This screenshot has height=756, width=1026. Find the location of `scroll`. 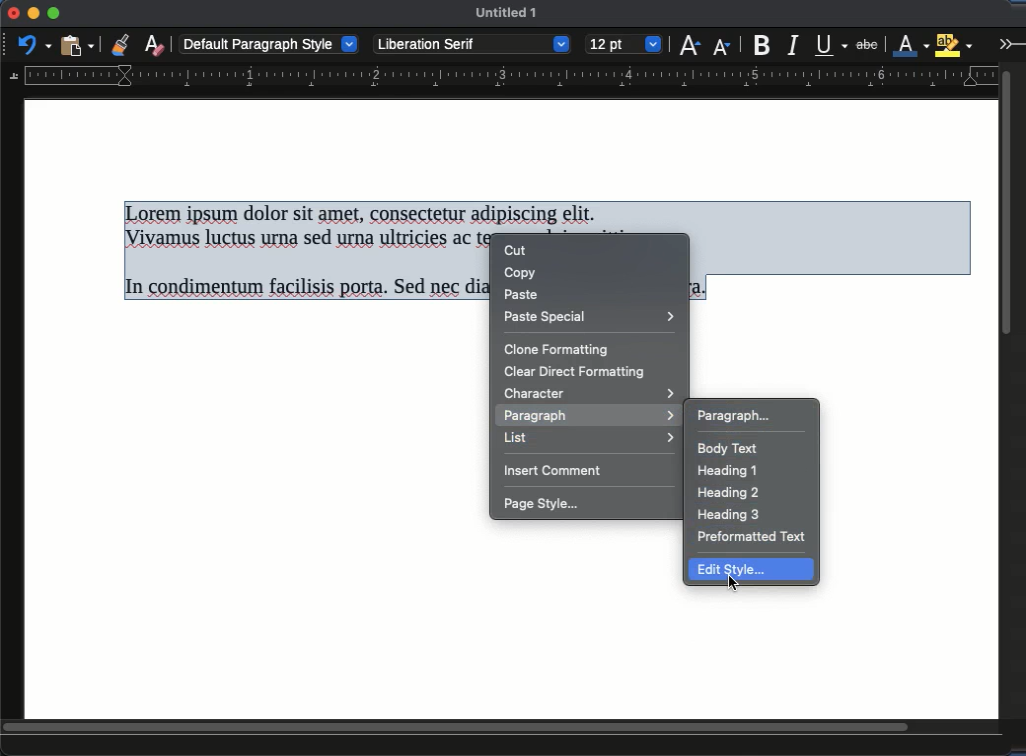

scroll is located at coordinates (1012, 389).